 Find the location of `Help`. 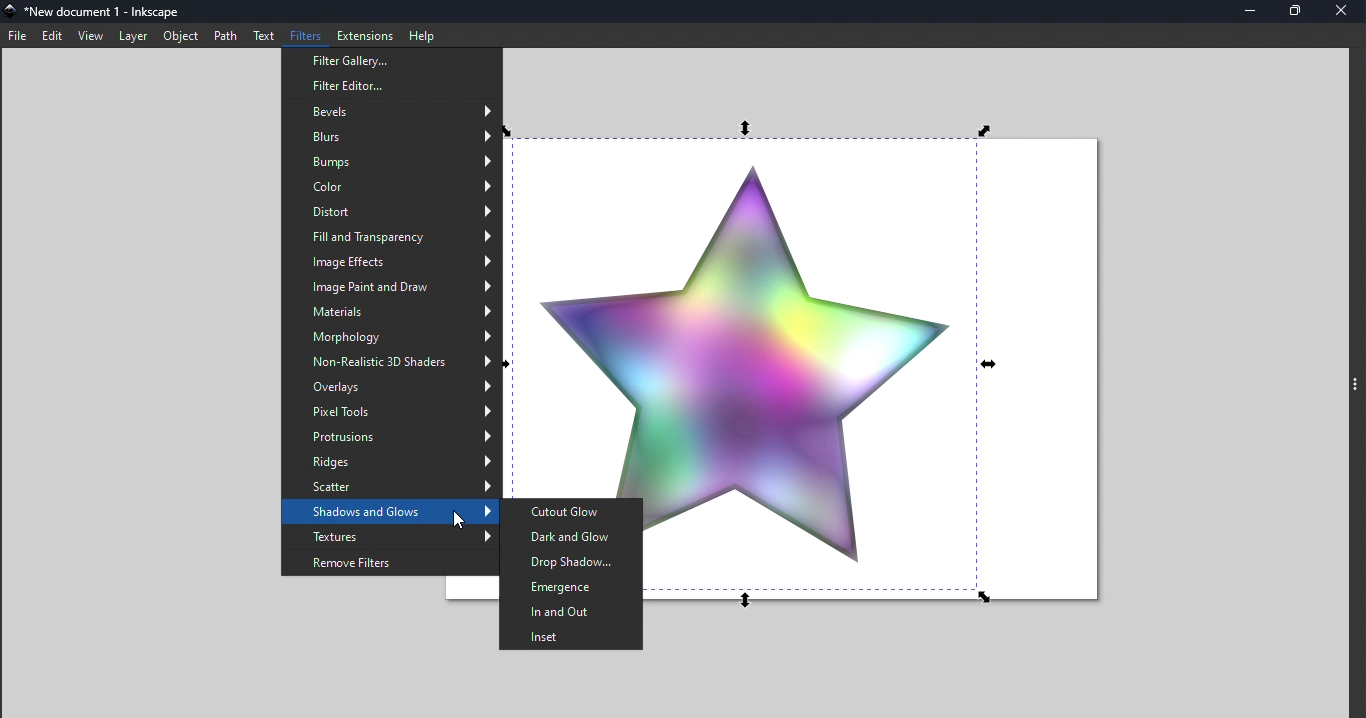

Help is located at coordinates (423, 34).